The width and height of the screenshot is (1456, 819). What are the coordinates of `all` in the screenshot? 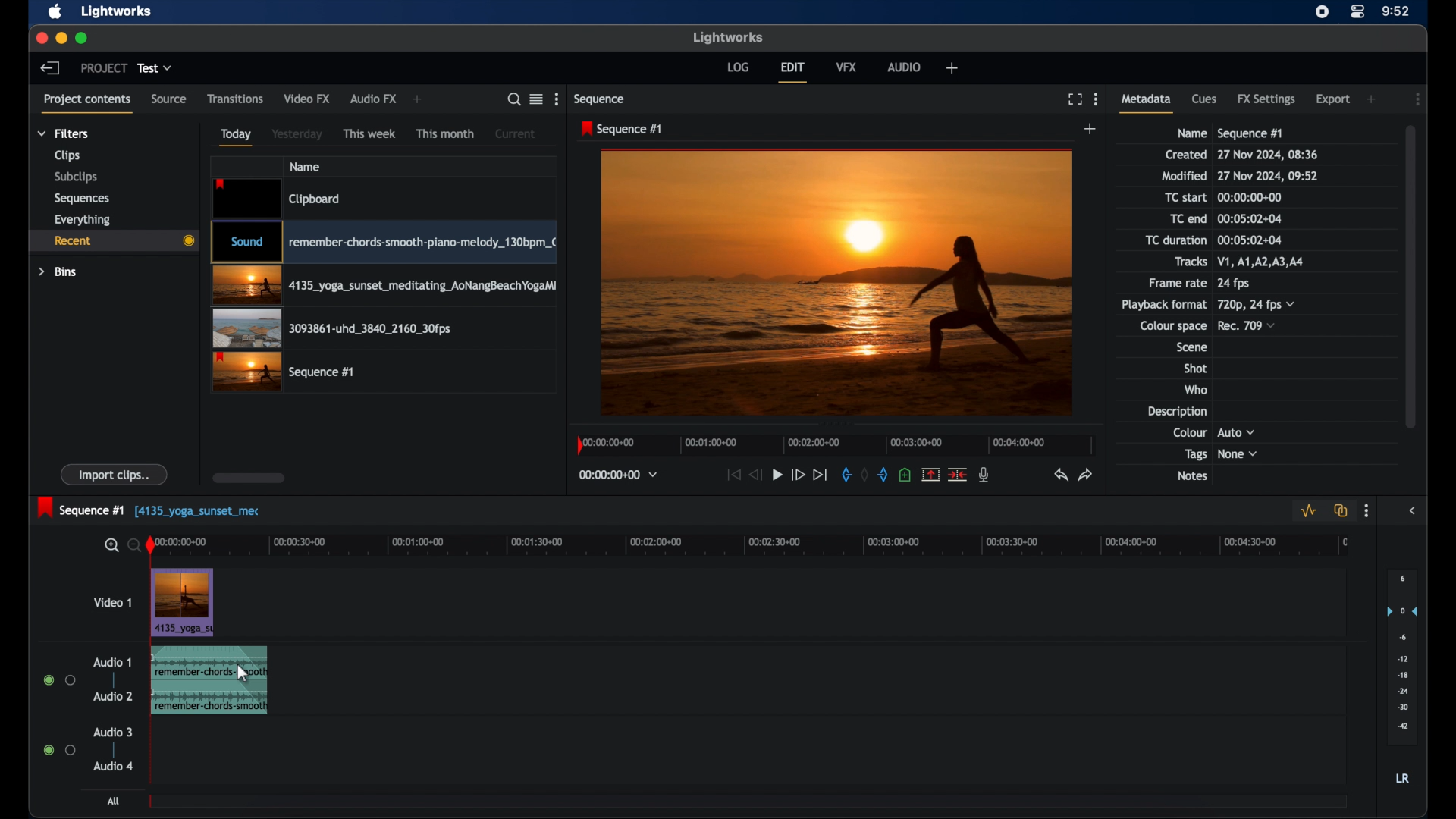 It's located at (115, 801).